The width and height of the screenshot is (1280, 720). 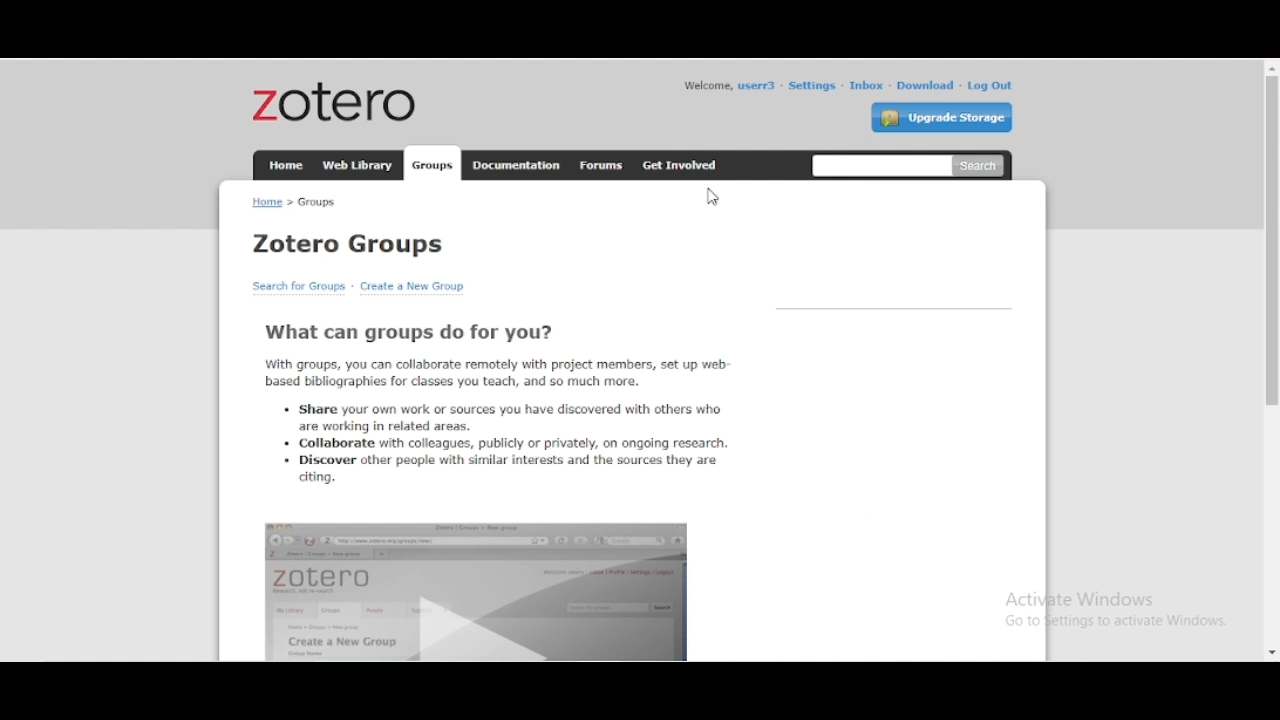 What do you see at coordinates (300, 286) in the screenshot?
I see `search for groups` at bounding box center [300, 286].